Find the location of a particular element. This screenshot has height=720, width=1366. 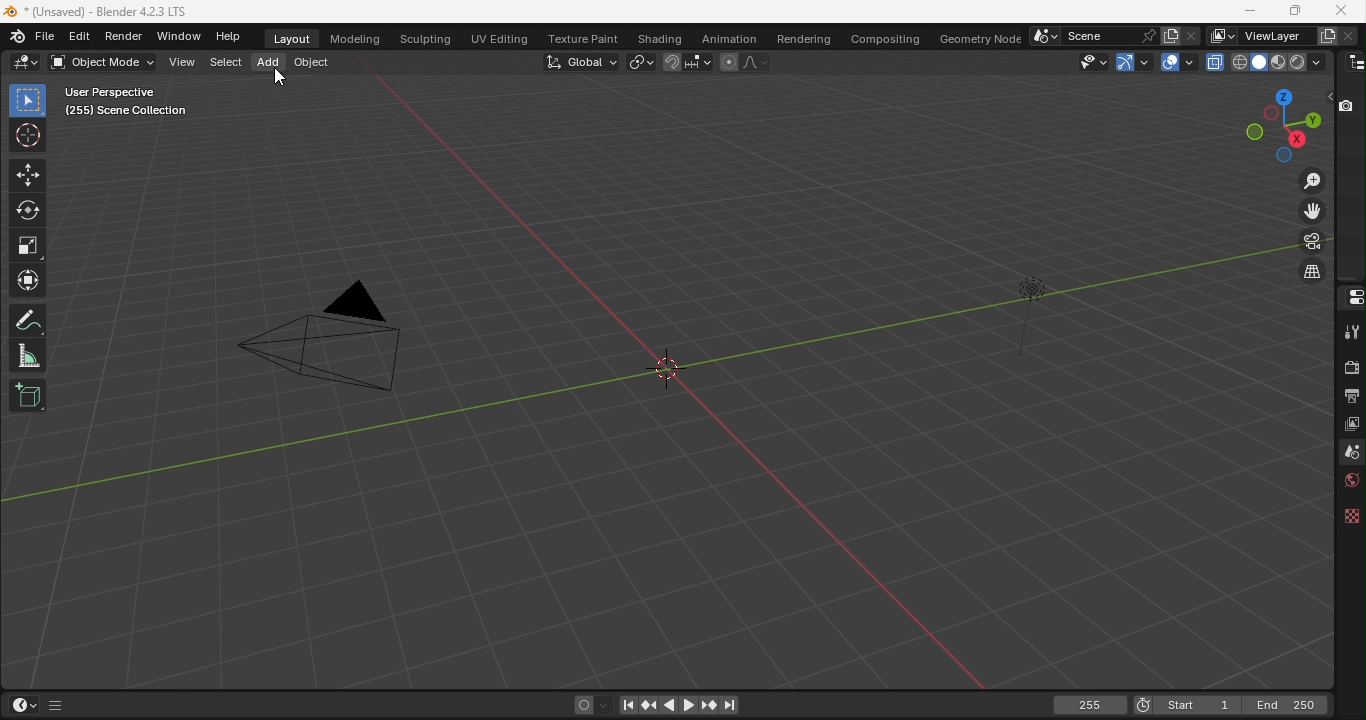

Auto keying is located at coordinates (582, 705).